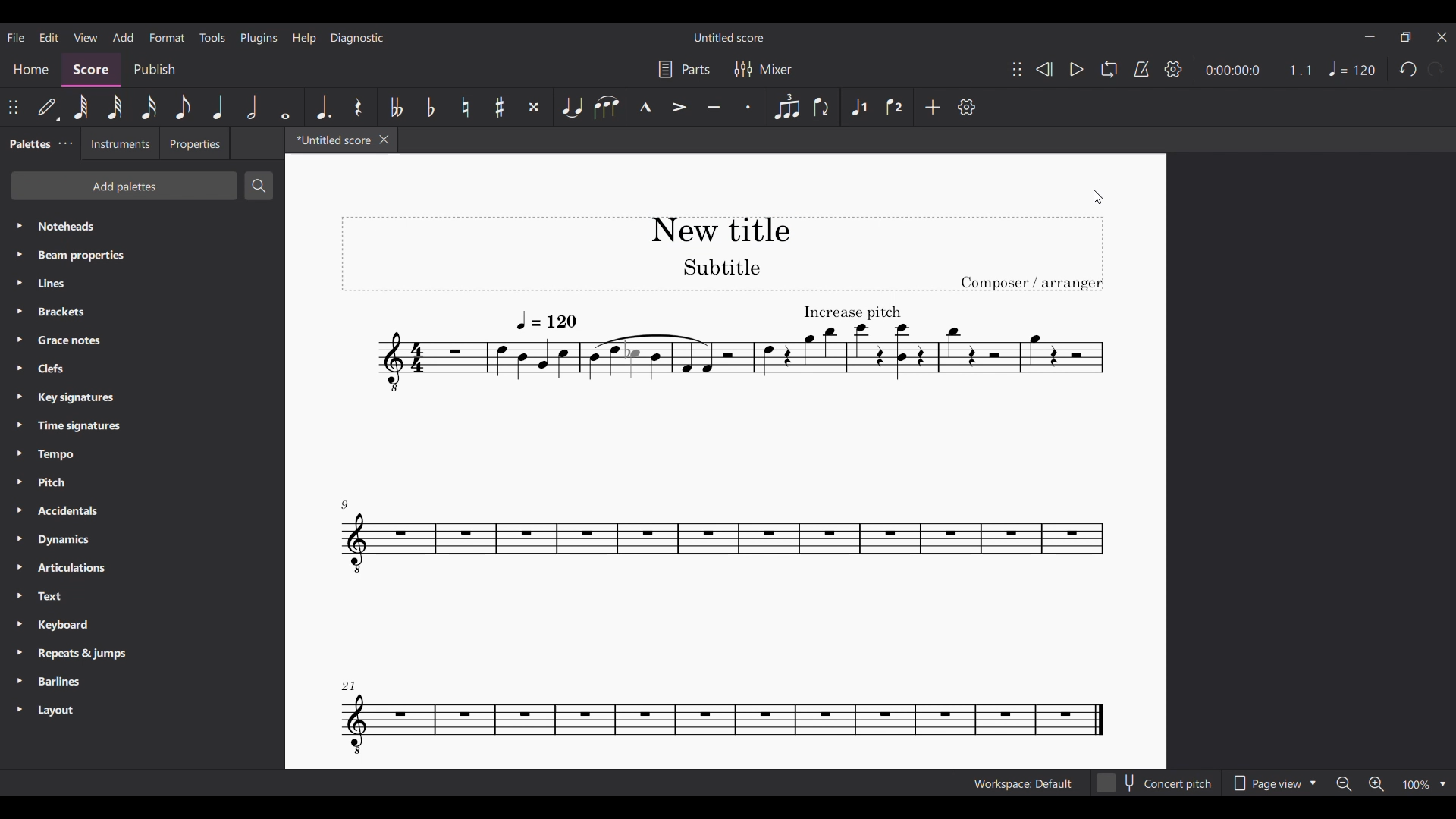 The width and height of the screenshot is (1456, 819). What do you see at coordinates (1300, 70) in the screenshot?
I see `Current ratio` at bounding box center [1300, 70].